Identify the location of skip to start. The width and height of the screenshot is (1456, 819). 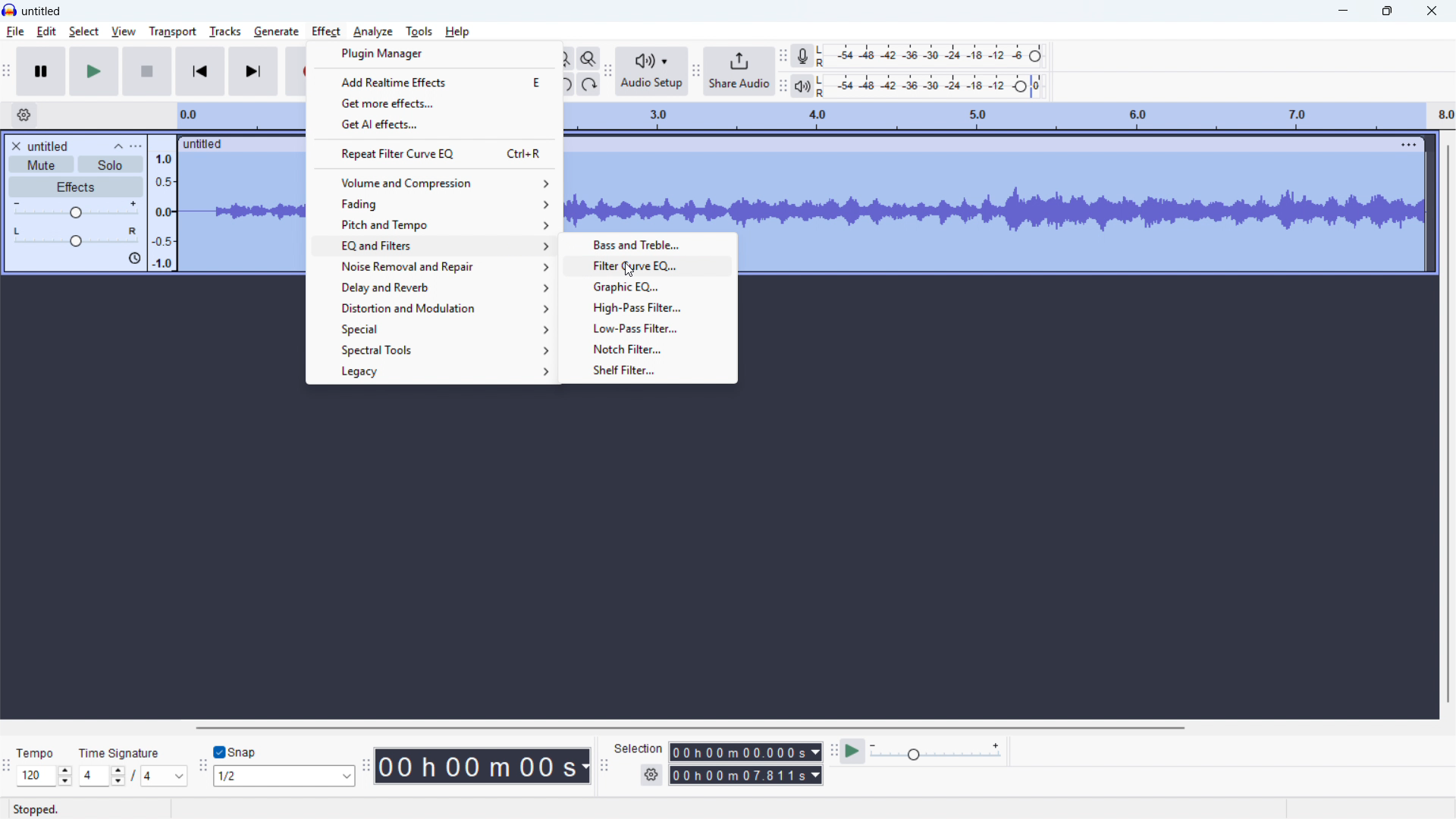
(200, 71).